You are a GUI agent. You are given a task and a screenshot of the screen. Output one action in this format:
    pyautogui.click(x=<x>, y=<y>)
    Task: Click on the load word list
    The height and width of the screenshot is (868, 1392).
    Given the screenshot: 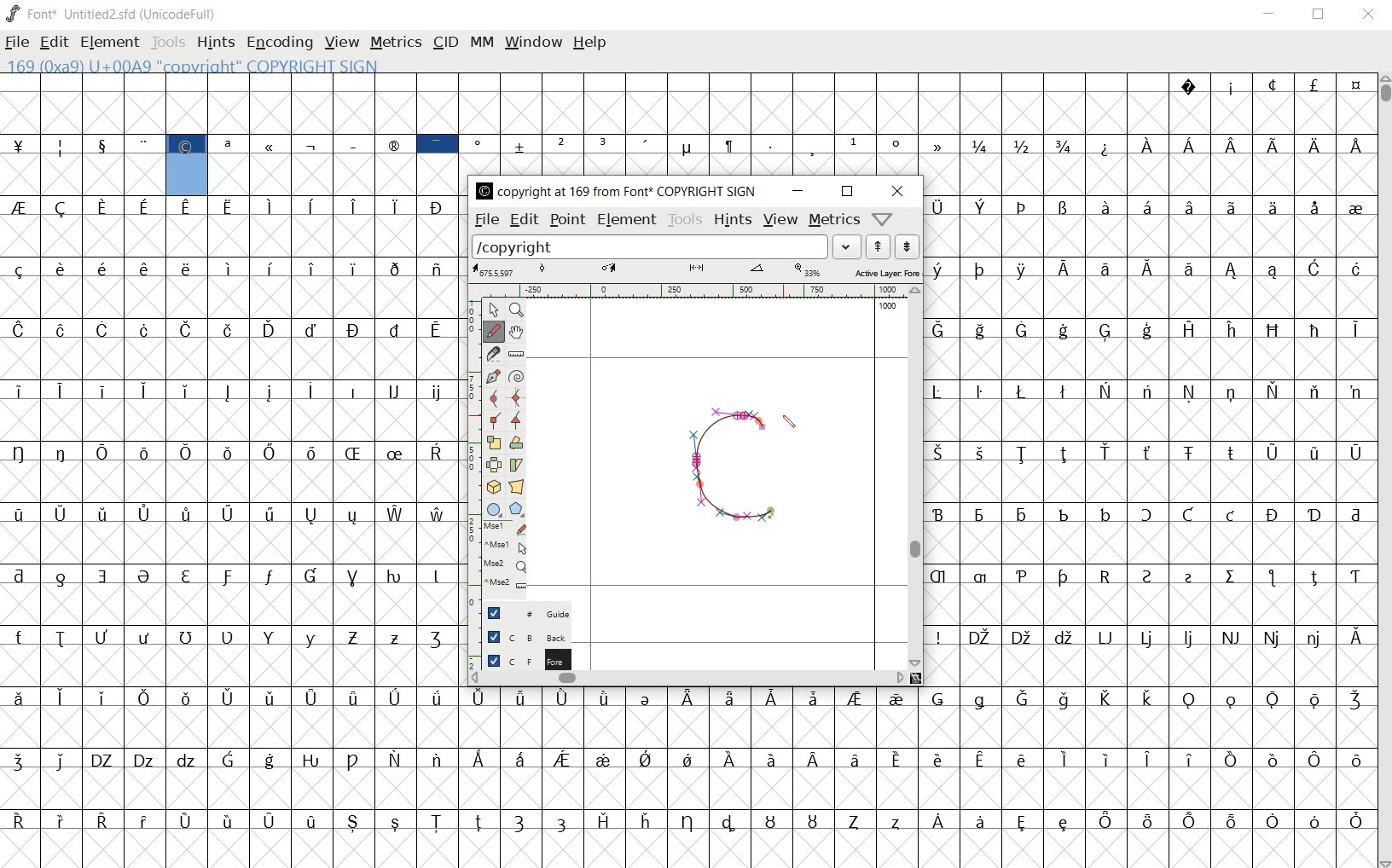 What is the action you would take?
    pyautogui.click(x=665, y=246)
    